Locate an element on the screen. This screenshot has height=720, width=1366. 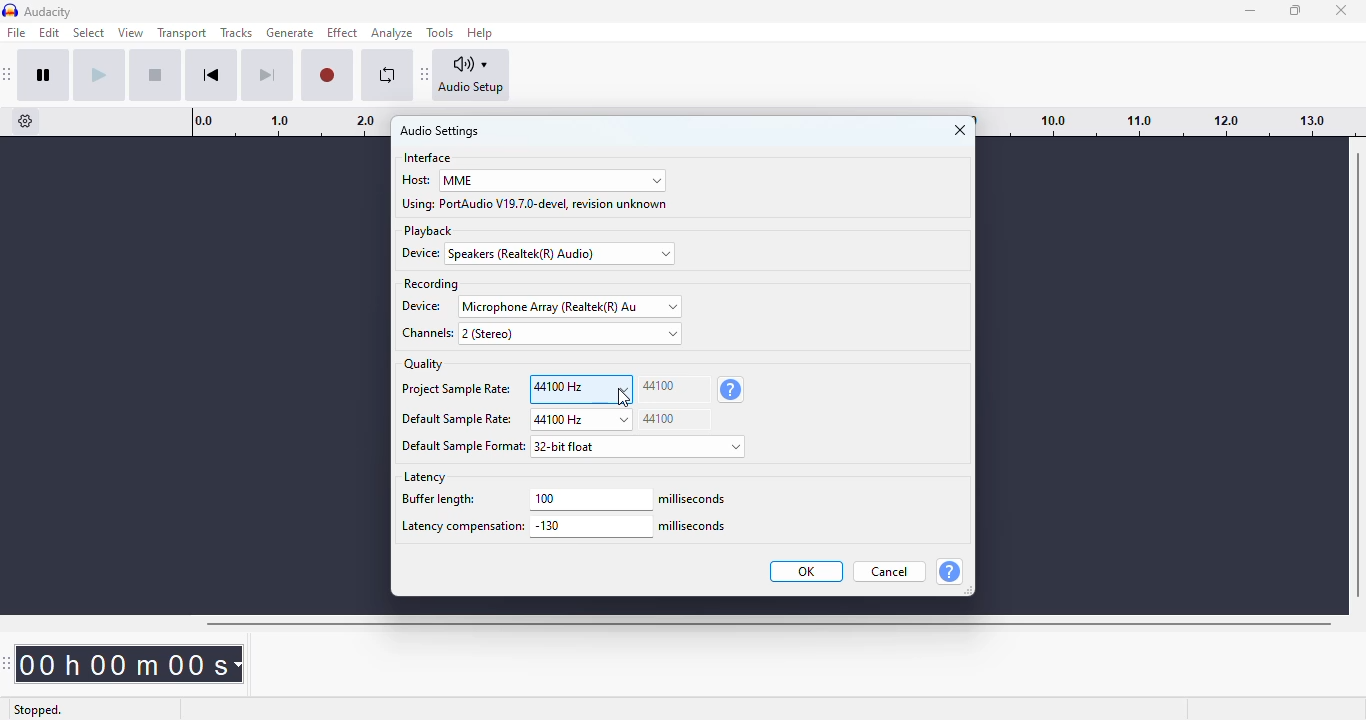
 is located at coordinates (464, 446).